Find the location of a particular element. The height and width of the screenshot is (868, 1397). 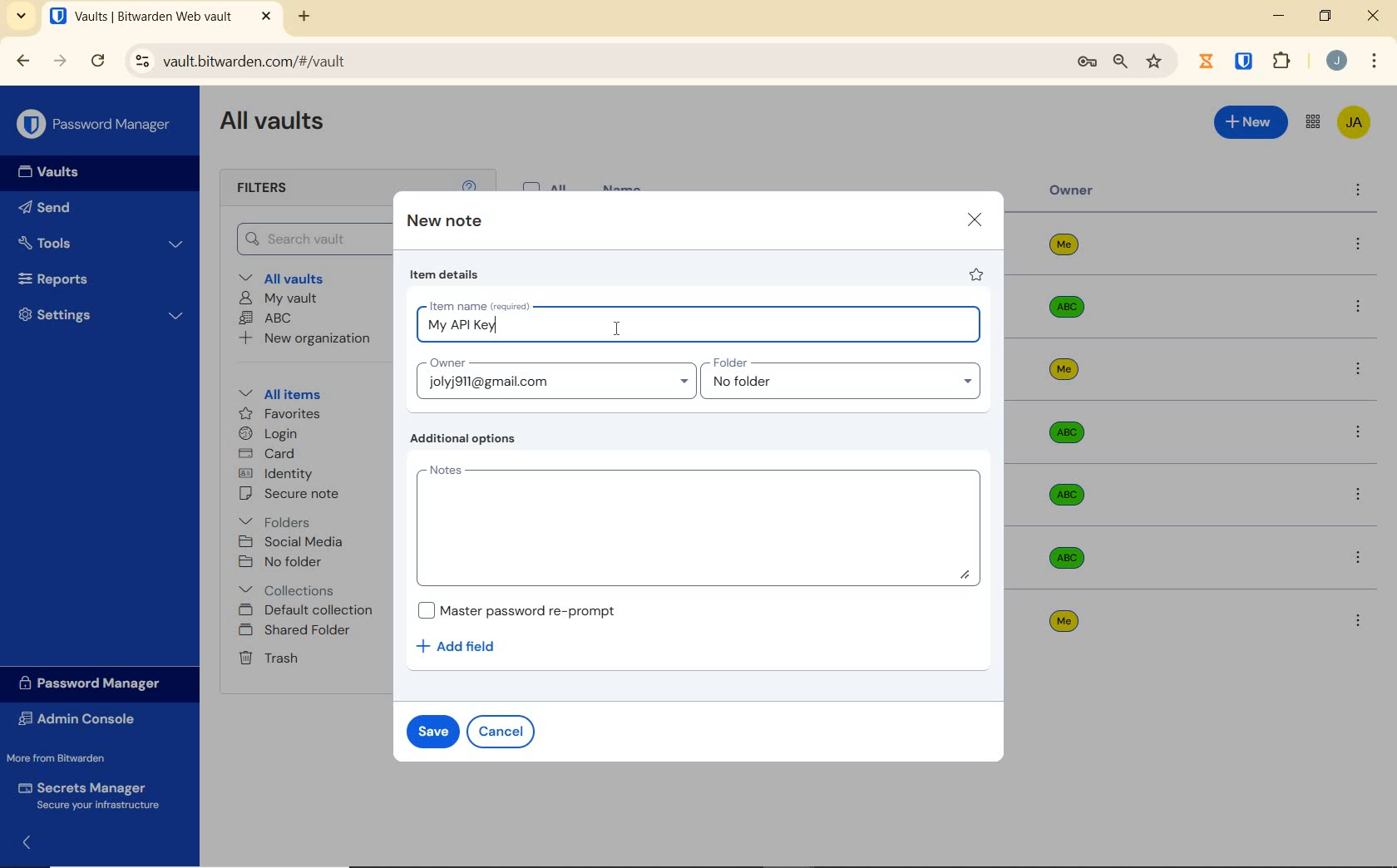

help is located at coordinates (469, 184).